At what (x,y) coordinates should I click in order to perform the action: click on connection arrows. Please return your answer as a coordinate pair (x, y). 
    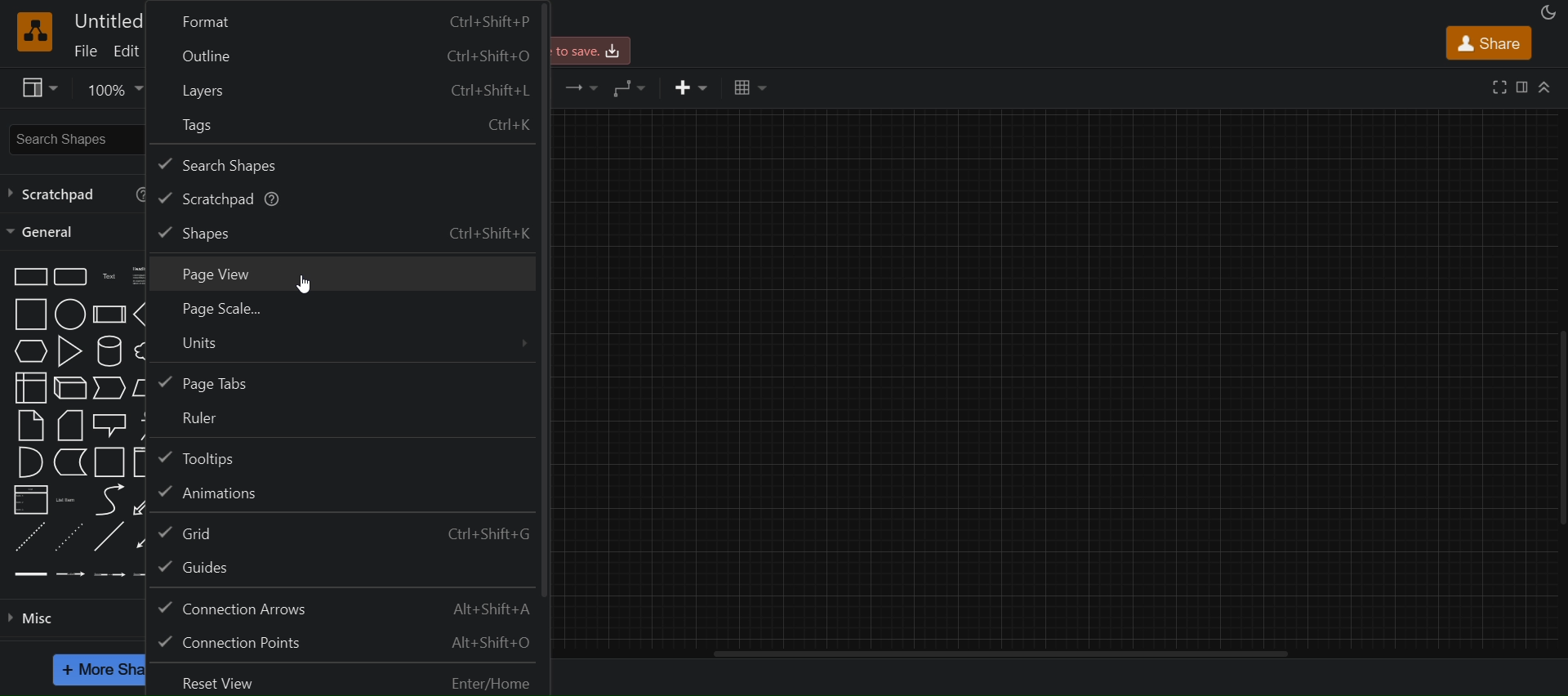
    Looking at the image, I should click on (349, 605).